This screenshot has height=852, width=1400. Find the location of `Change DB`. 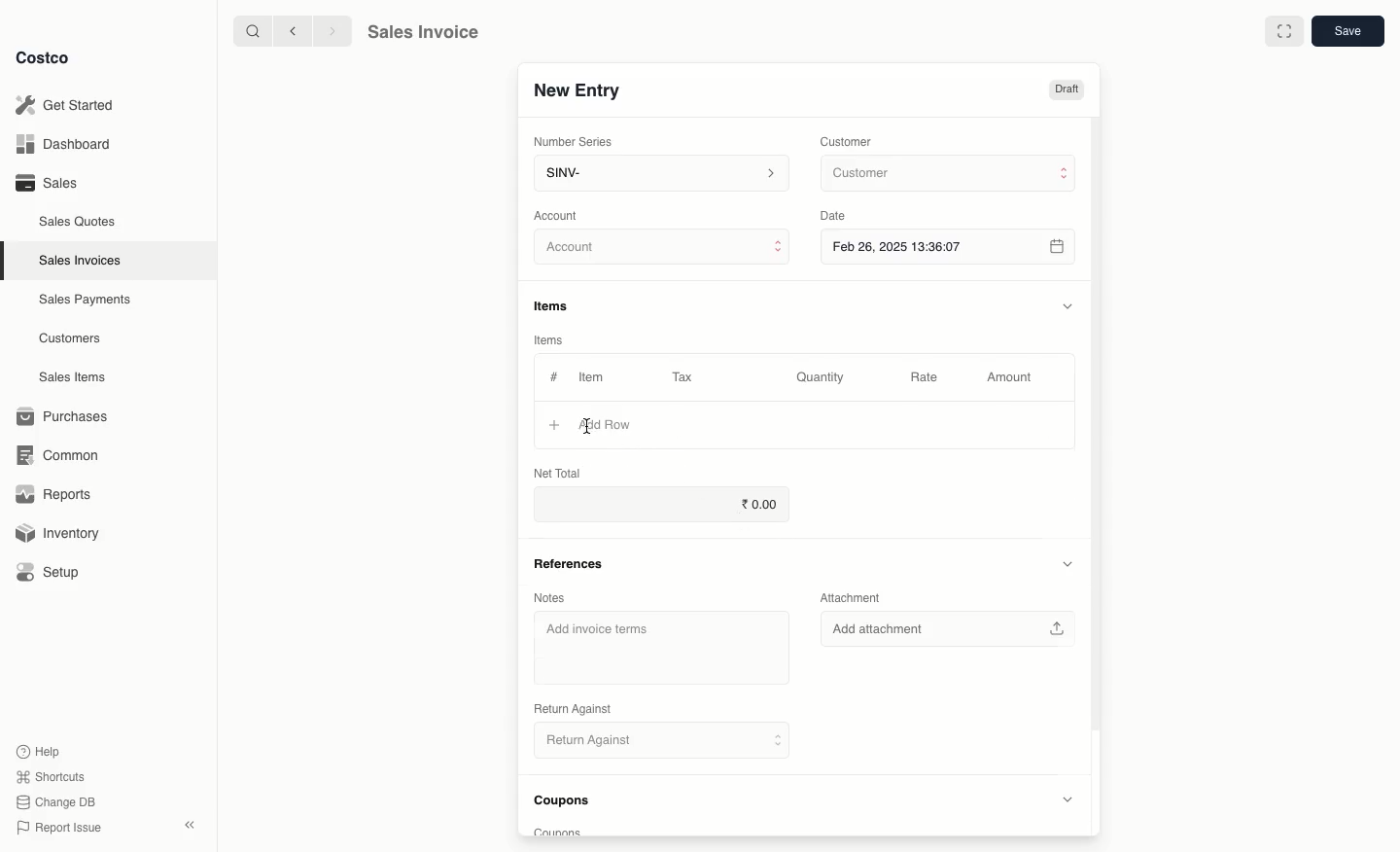

Change DB is located at coordinates (52, 800).